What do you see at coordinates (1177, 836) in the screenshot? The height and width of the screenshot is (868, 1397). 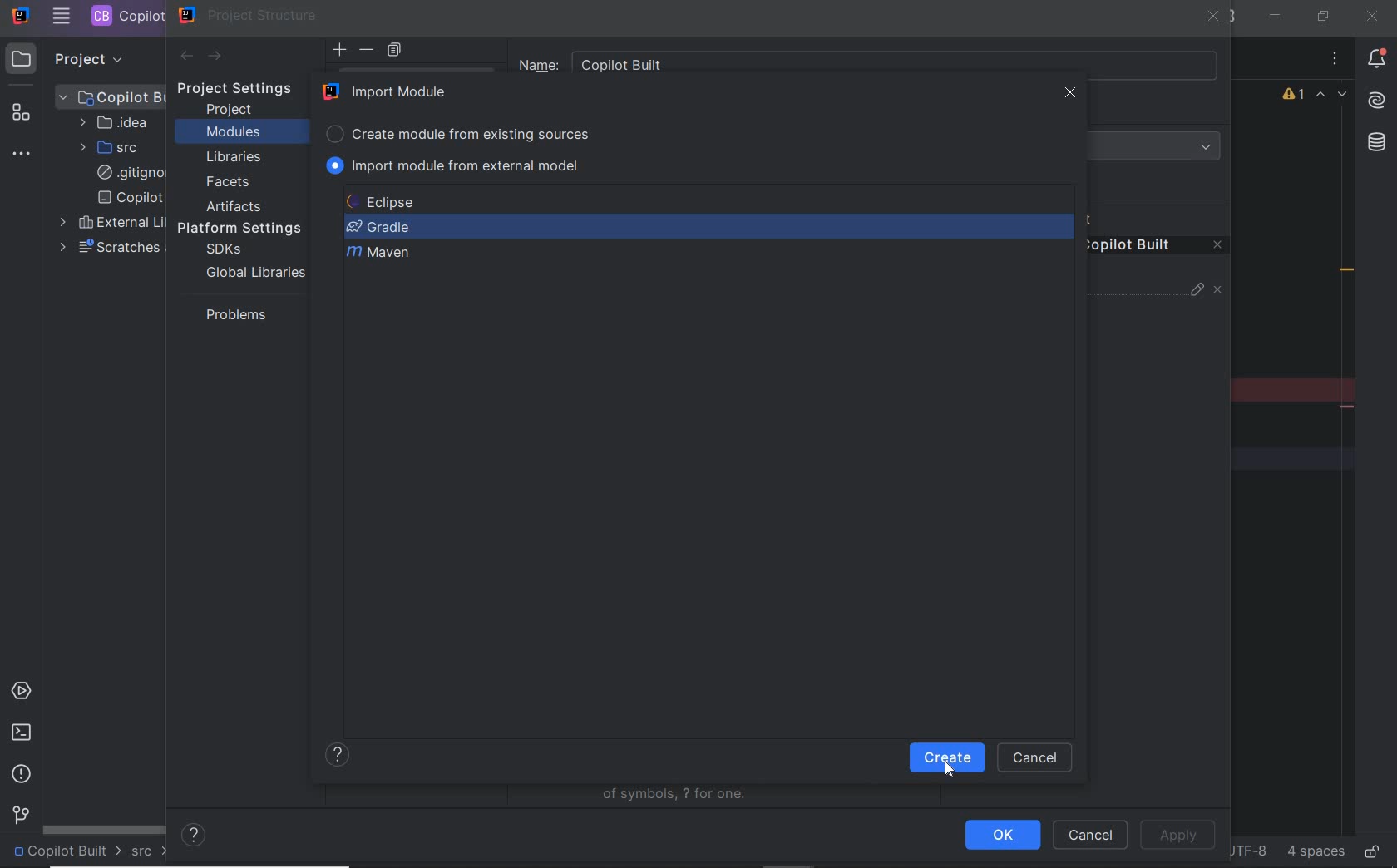 I see `apply` at bounding box center [1177, 836].